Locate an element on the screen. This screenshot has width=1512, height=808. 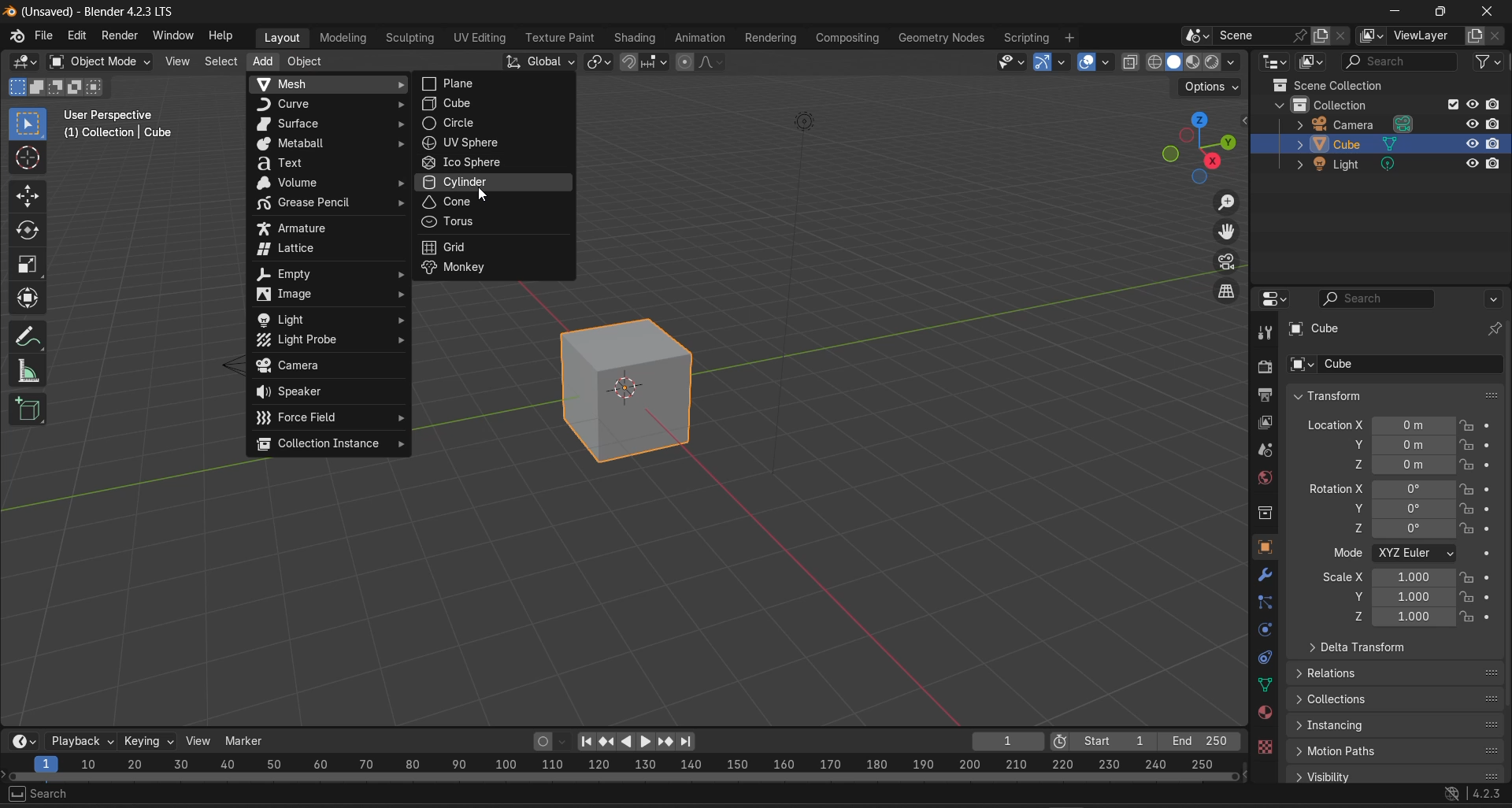
modifiers is located at coordinates (1265, 574).